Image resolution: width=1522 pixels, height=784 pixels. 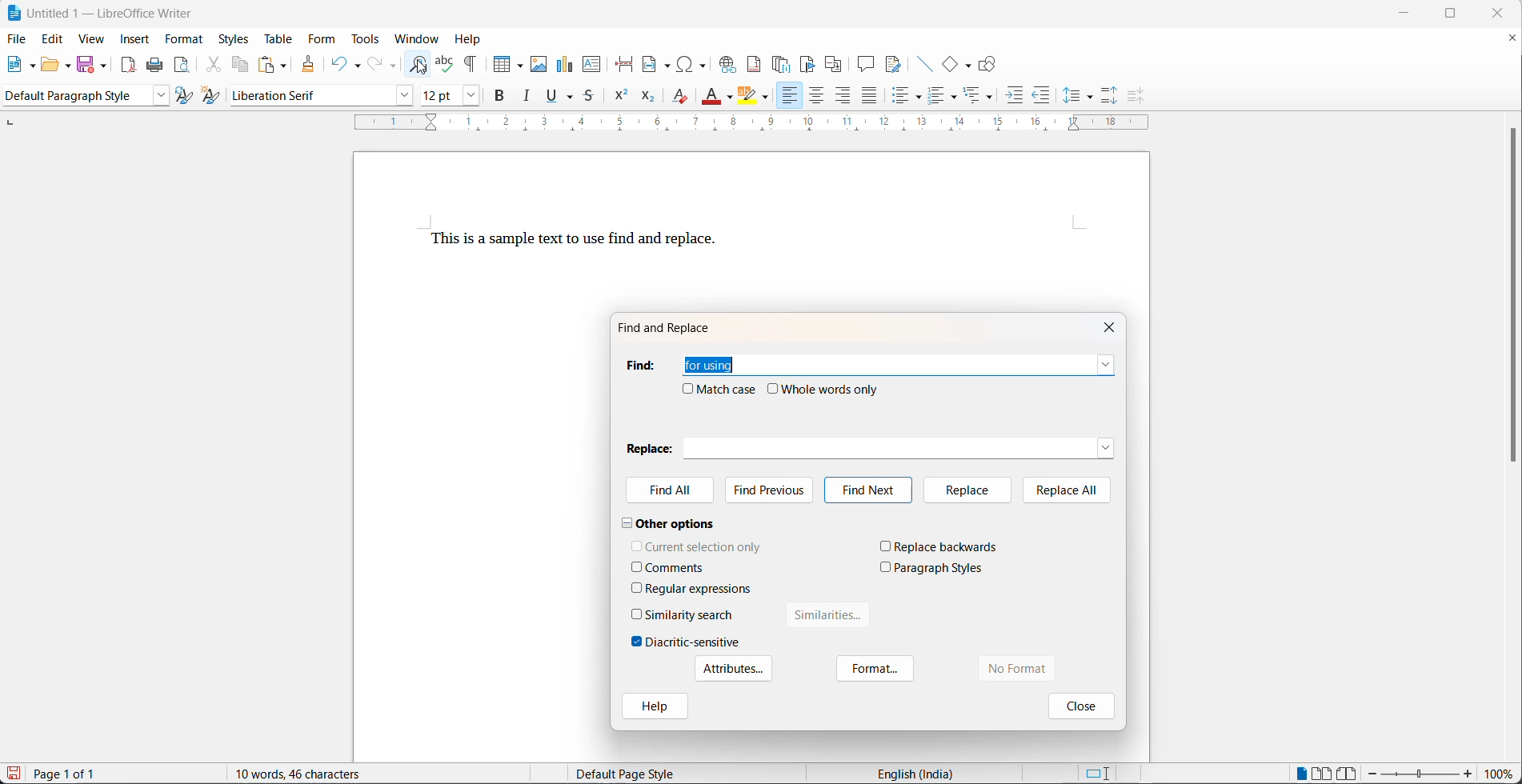 I want to click on update selected style, so click(x=185, y=96).